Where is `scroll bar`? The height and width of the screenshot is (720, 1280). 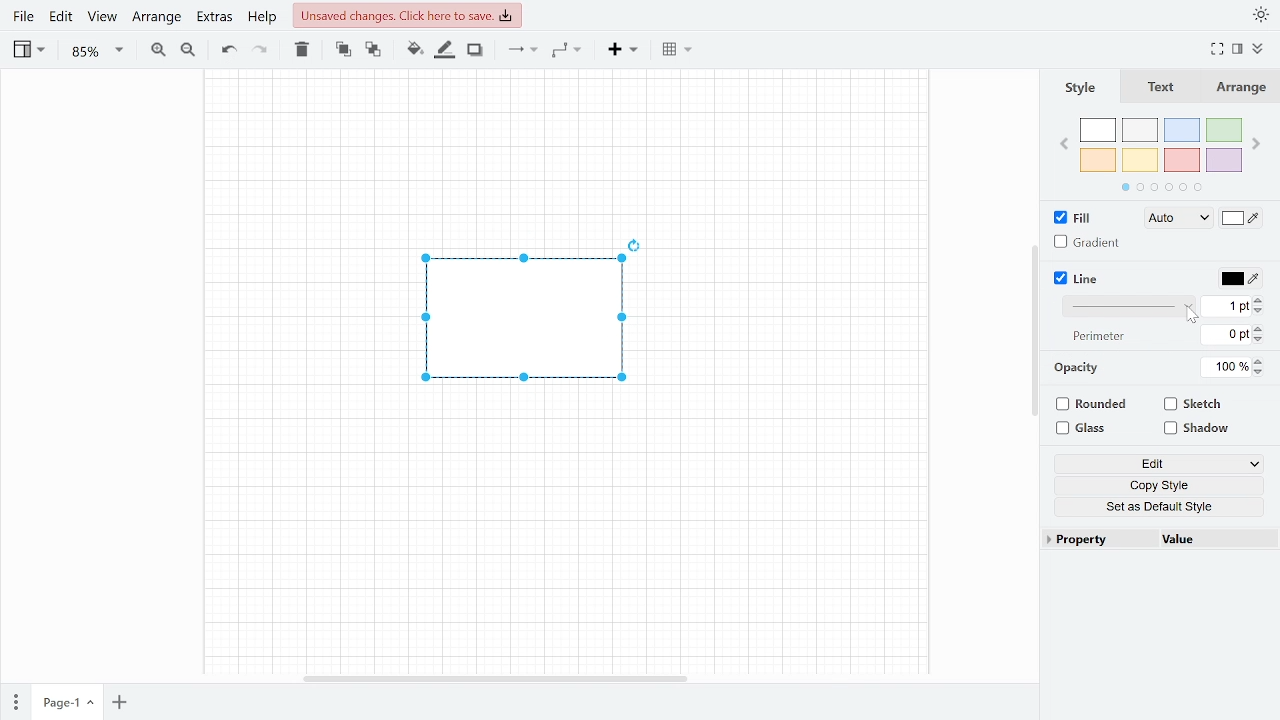
scroll bar is located at coordinates (1033, 325).